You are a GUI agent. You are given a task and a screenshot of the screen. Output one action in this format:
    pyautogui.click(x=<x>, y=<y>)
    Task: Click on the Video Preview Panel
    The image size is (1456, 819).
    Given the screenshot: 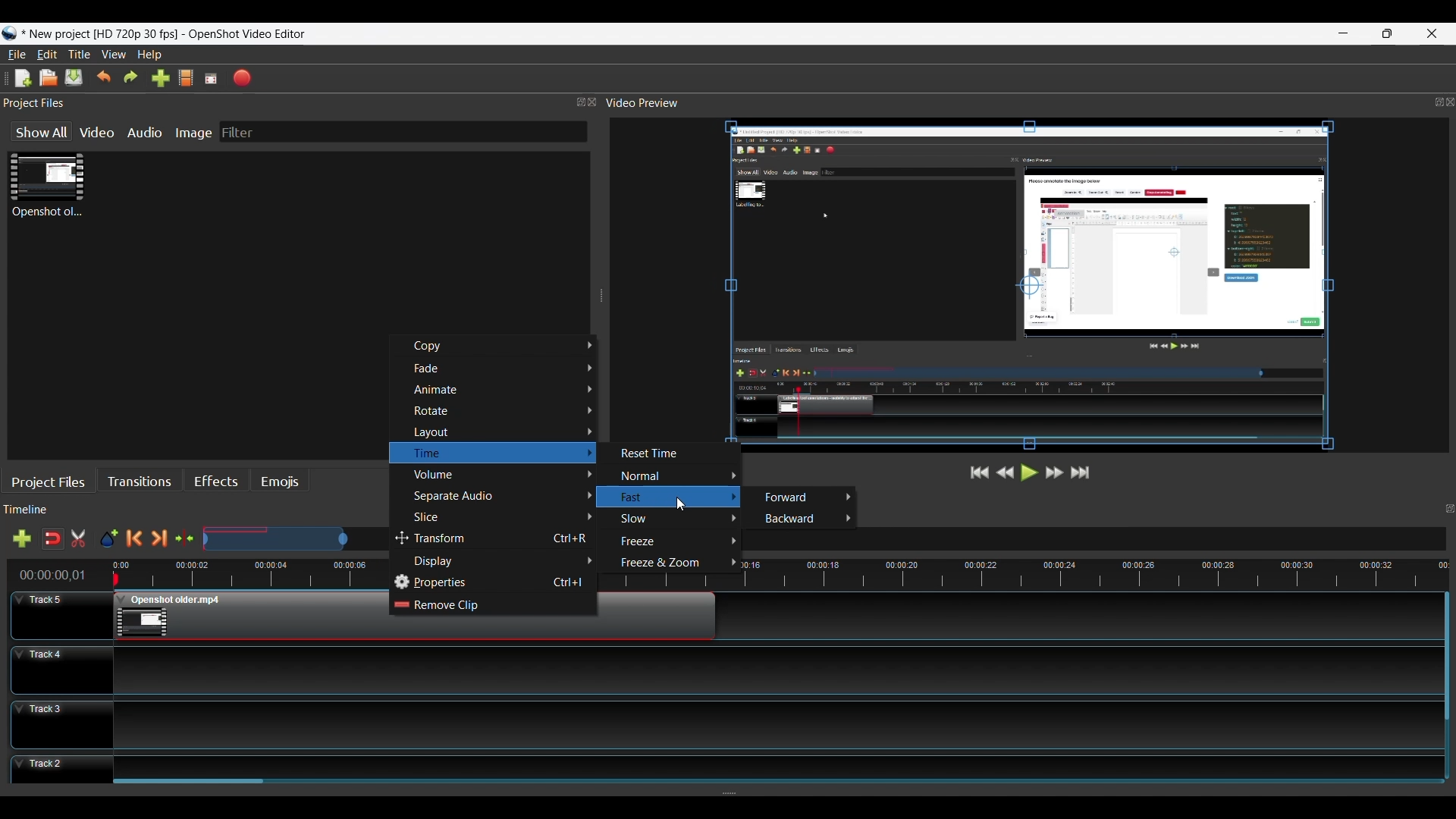 What is the action you would take?
    pyautogui.click(x=1029, y=103)
    